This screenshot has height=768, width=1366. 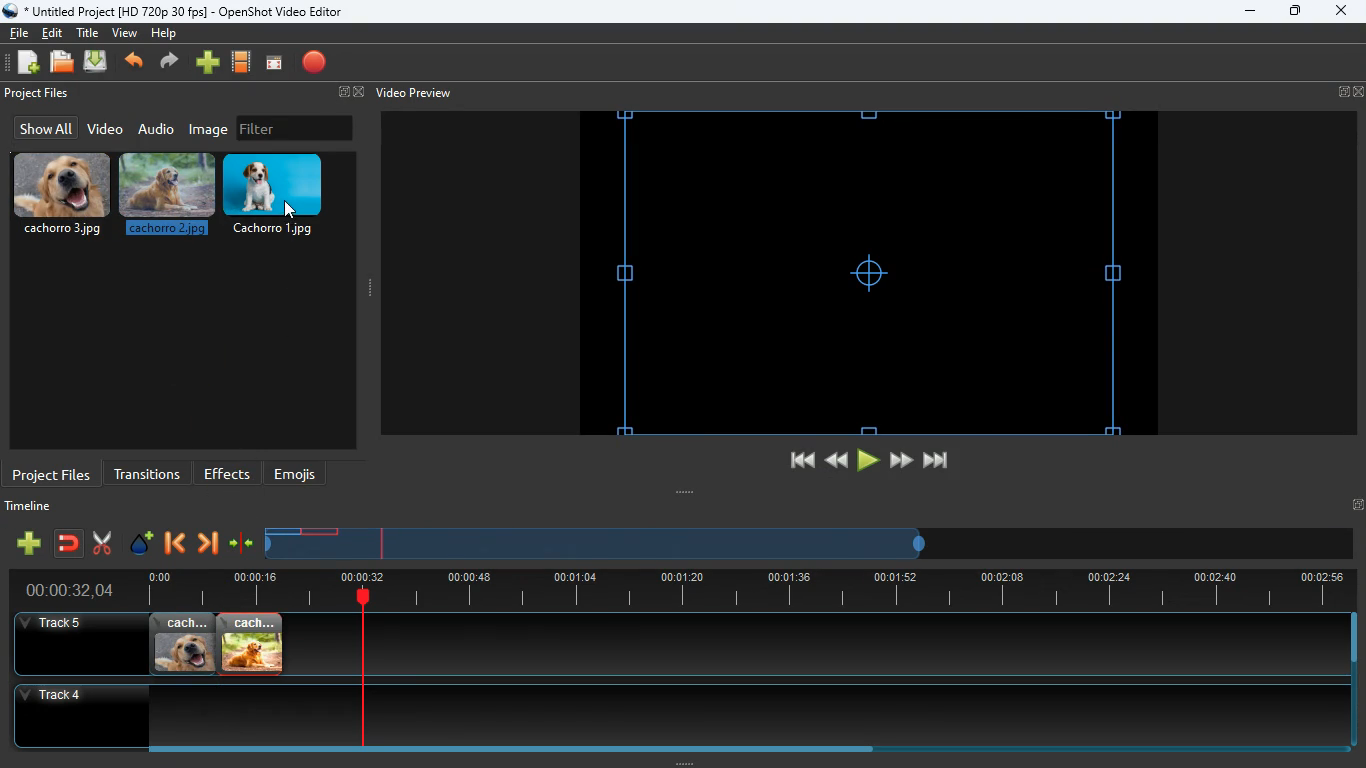 I want to click on screen, so click(x=274, y=64).